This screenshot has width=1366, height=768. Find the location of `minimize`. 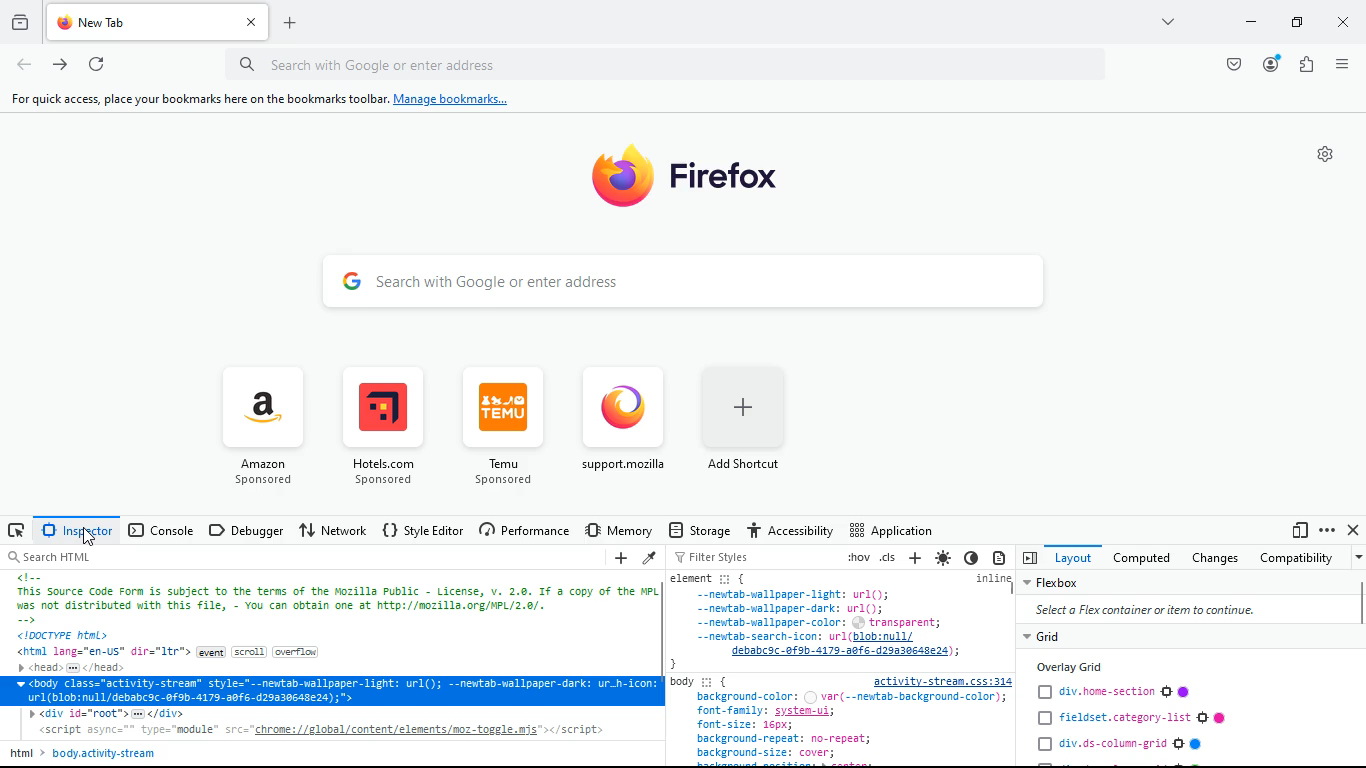

minimize is located at coordinates (1247, 23).